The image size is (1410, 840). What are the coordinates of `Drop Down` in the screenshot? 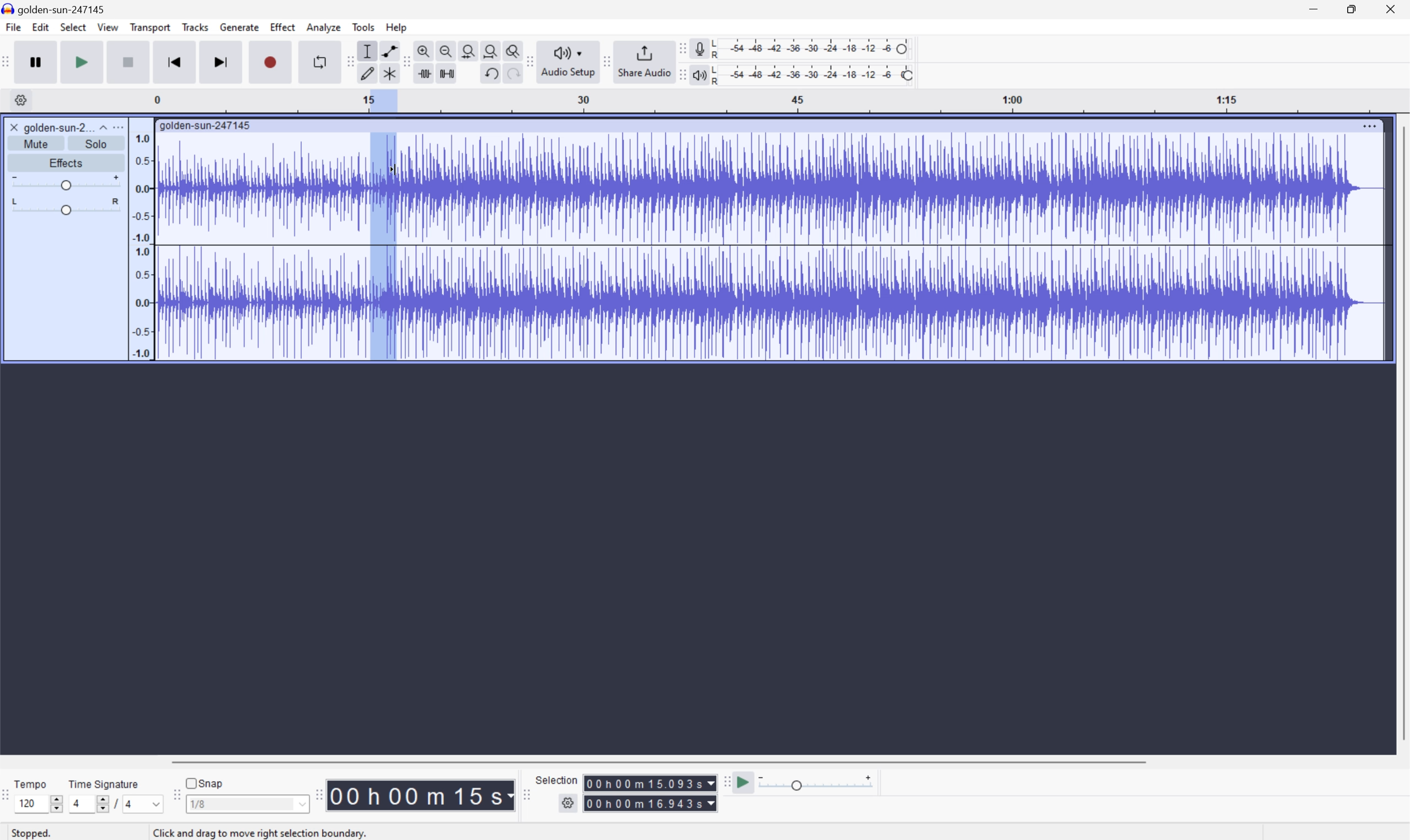 It's located at (152, 804).